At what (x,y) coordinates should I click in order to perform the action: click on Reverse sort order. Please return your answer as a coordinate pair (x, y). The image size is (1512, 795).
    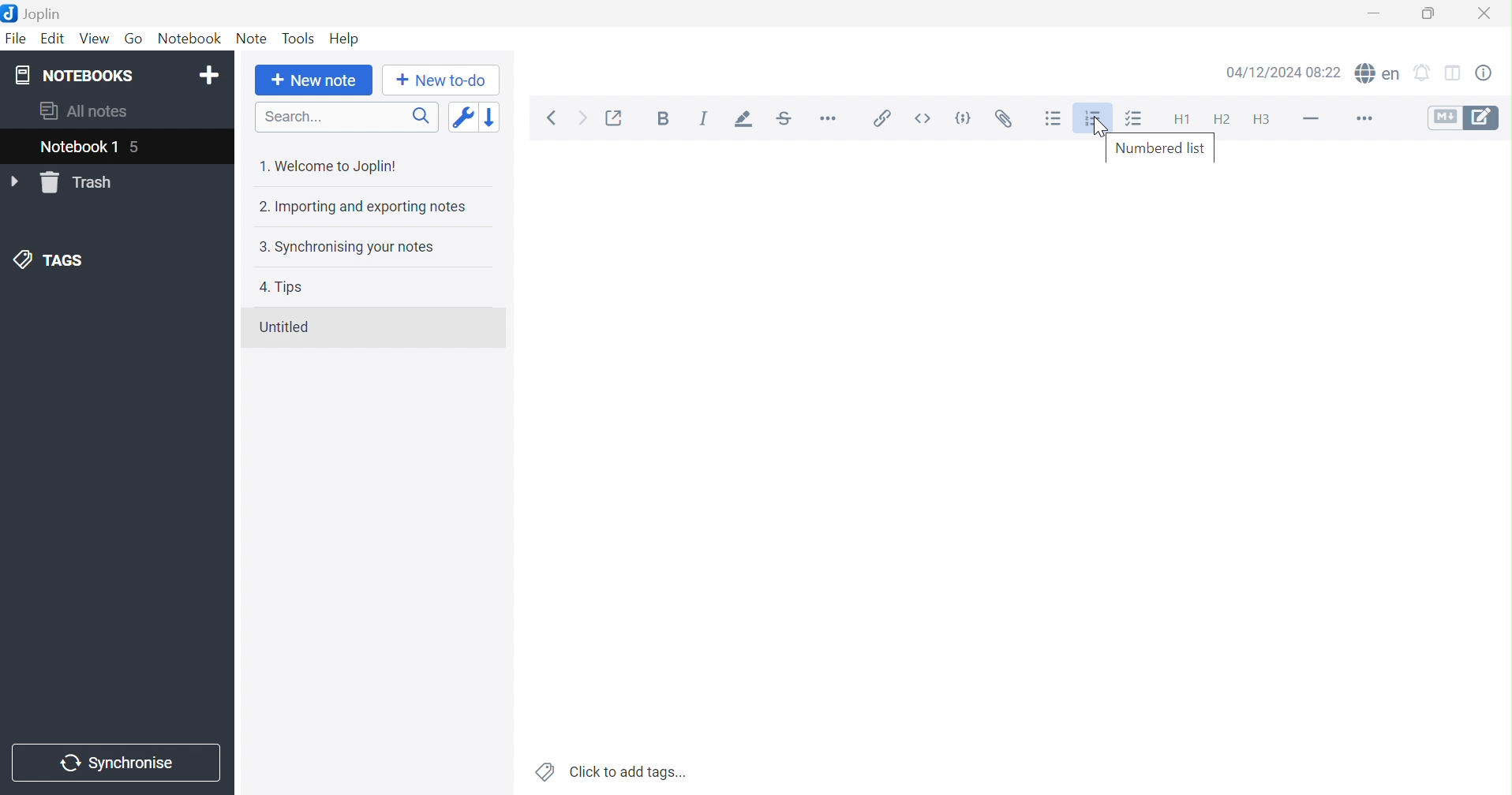
    Looking at the image, I should click on (489, 118).